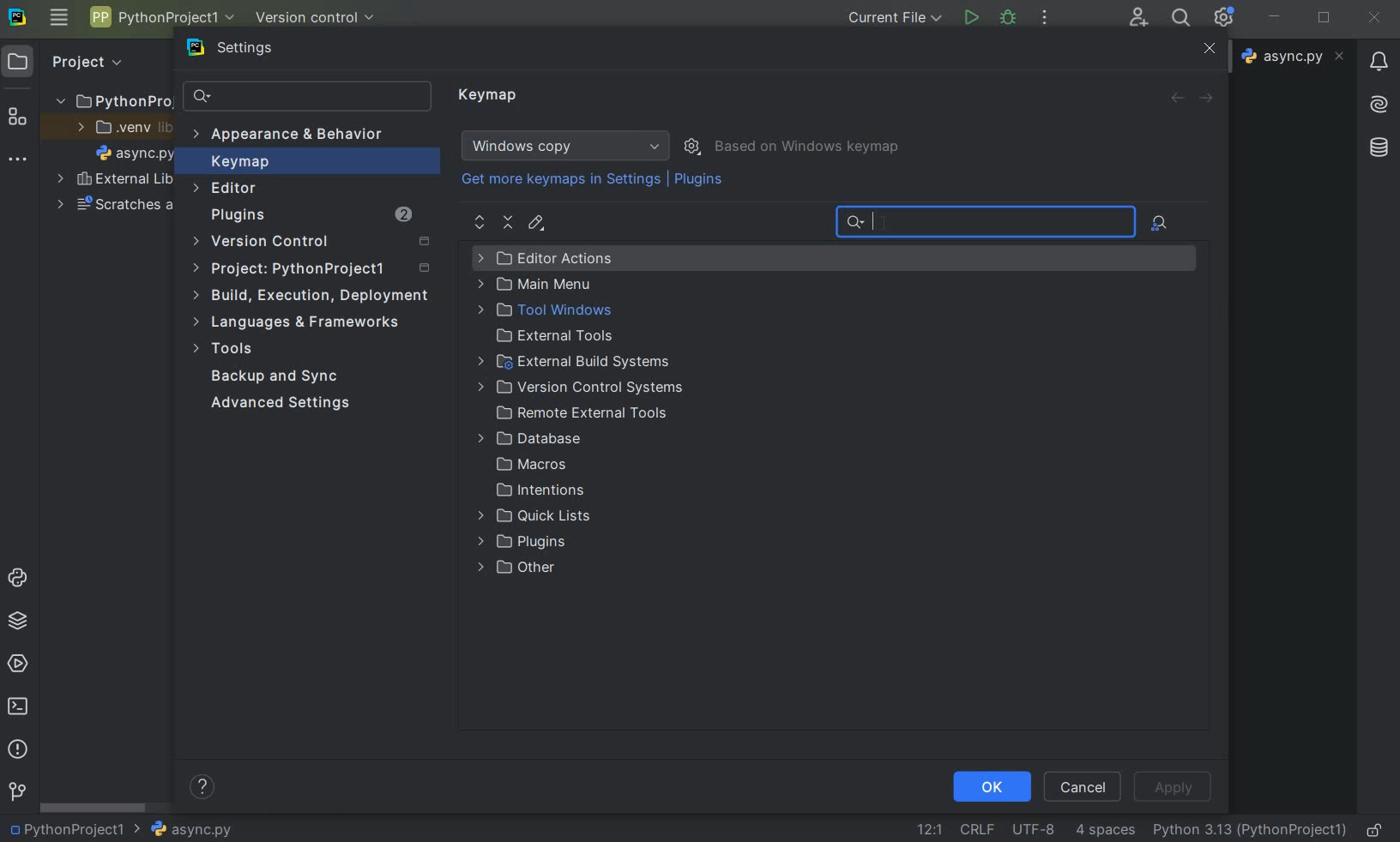 The height and width of the screenshot is (842, 1400). What do you see at coordinates (874, 225) in the screenshot?
I see `editor` at bounding box center [874, 225].